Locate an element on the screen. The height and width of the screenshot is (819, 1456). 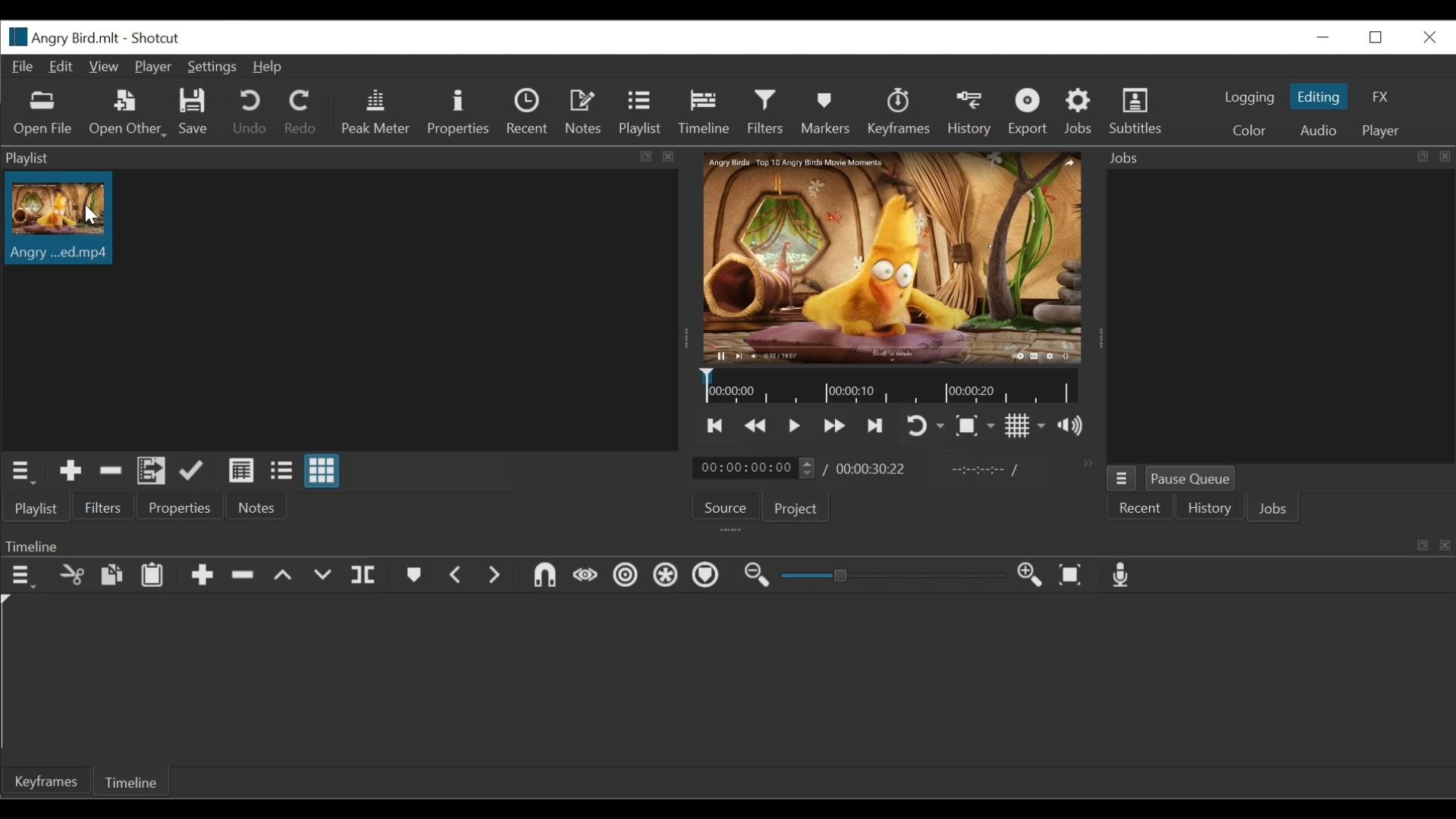
Keyframe is located at coordinates (45, 783).